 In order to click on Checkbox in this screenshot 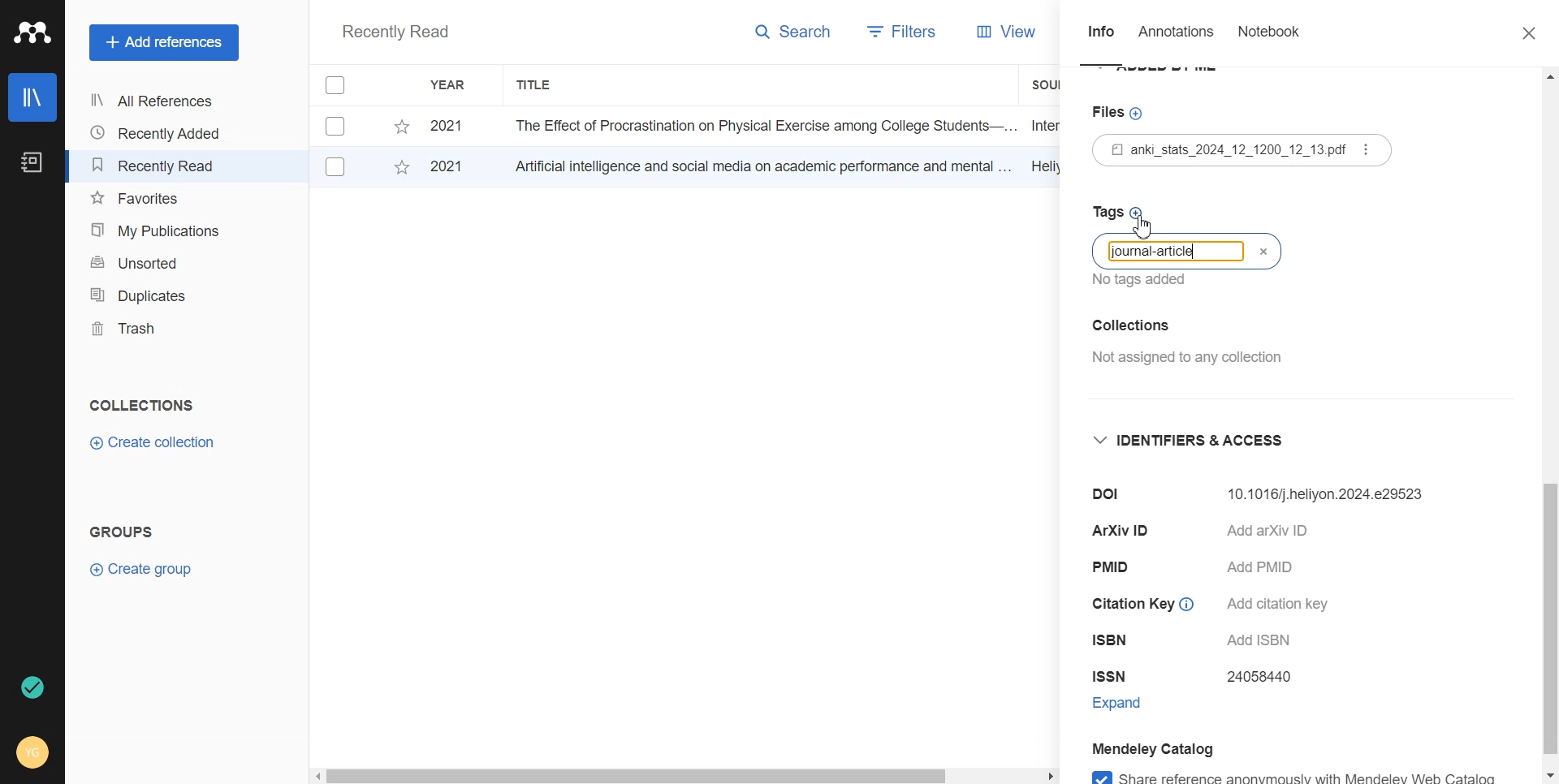, I will do `click(336, 167)`.